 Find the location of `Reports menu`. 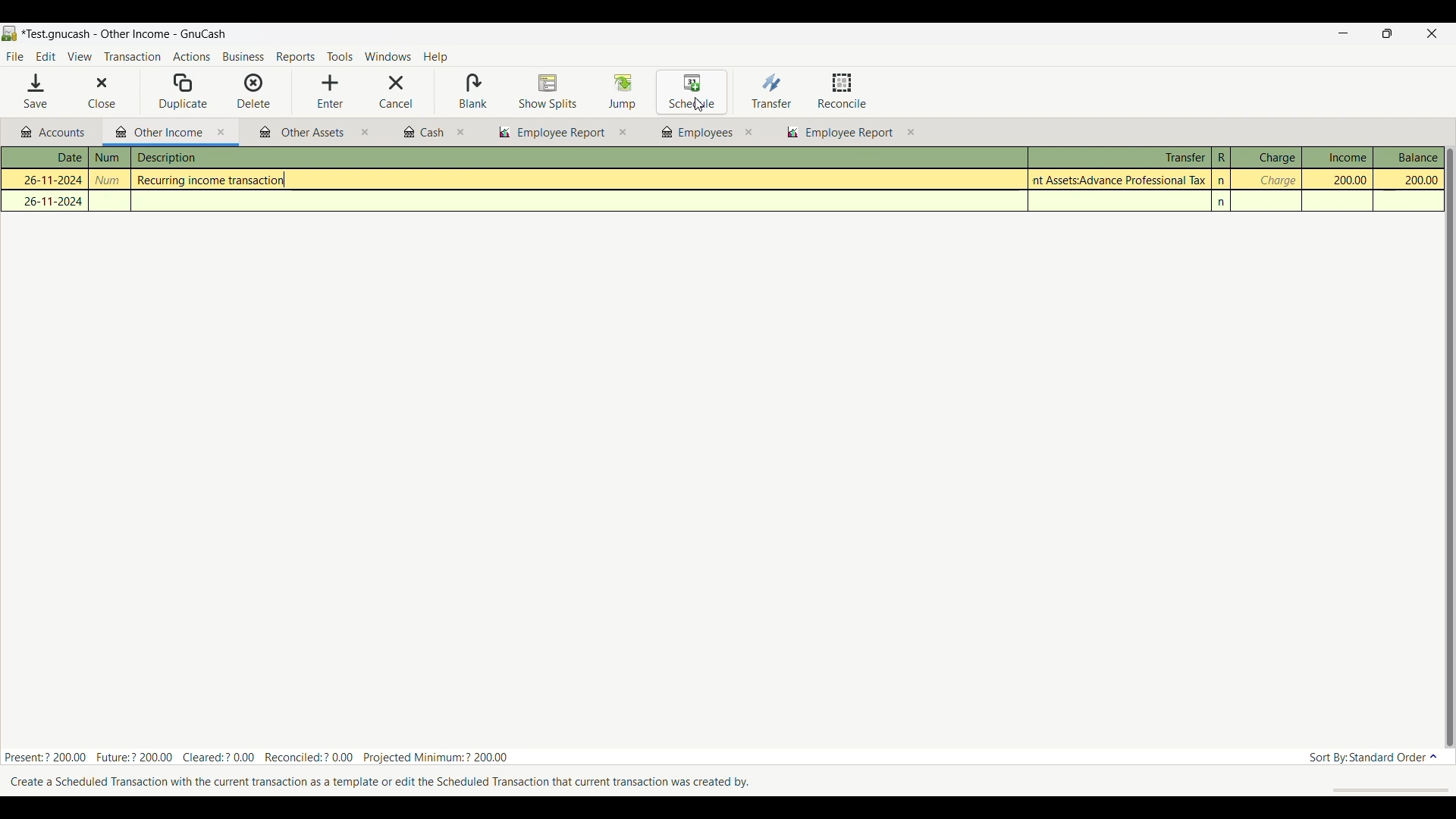

Reports menu is located at coordinates (297, 57).